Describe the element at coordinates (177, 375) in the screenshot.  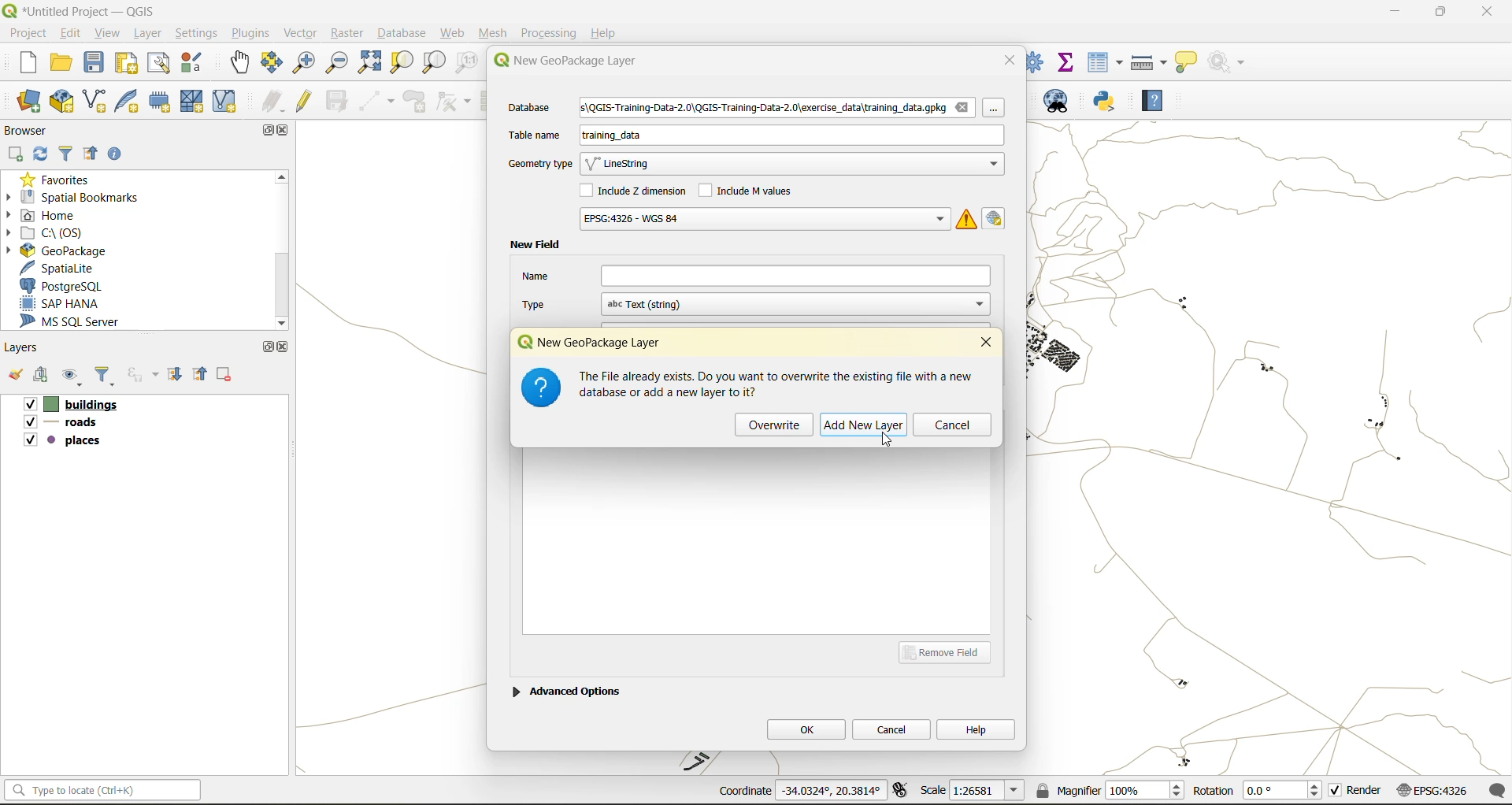
I see `expand all` at that location.